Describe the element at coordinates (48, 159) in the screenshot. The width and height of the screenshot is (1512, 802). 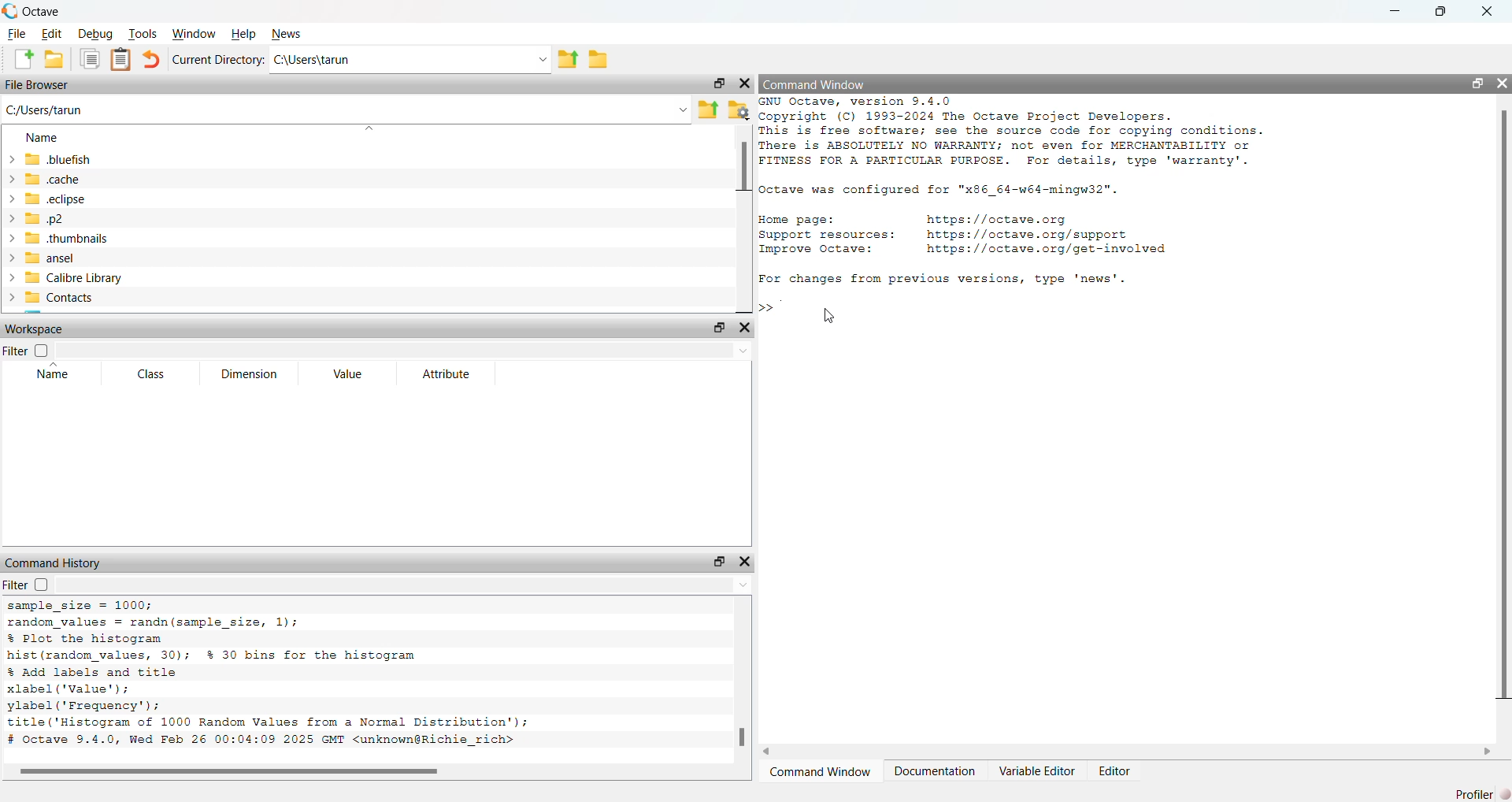
I see `.bluefish` at that location.